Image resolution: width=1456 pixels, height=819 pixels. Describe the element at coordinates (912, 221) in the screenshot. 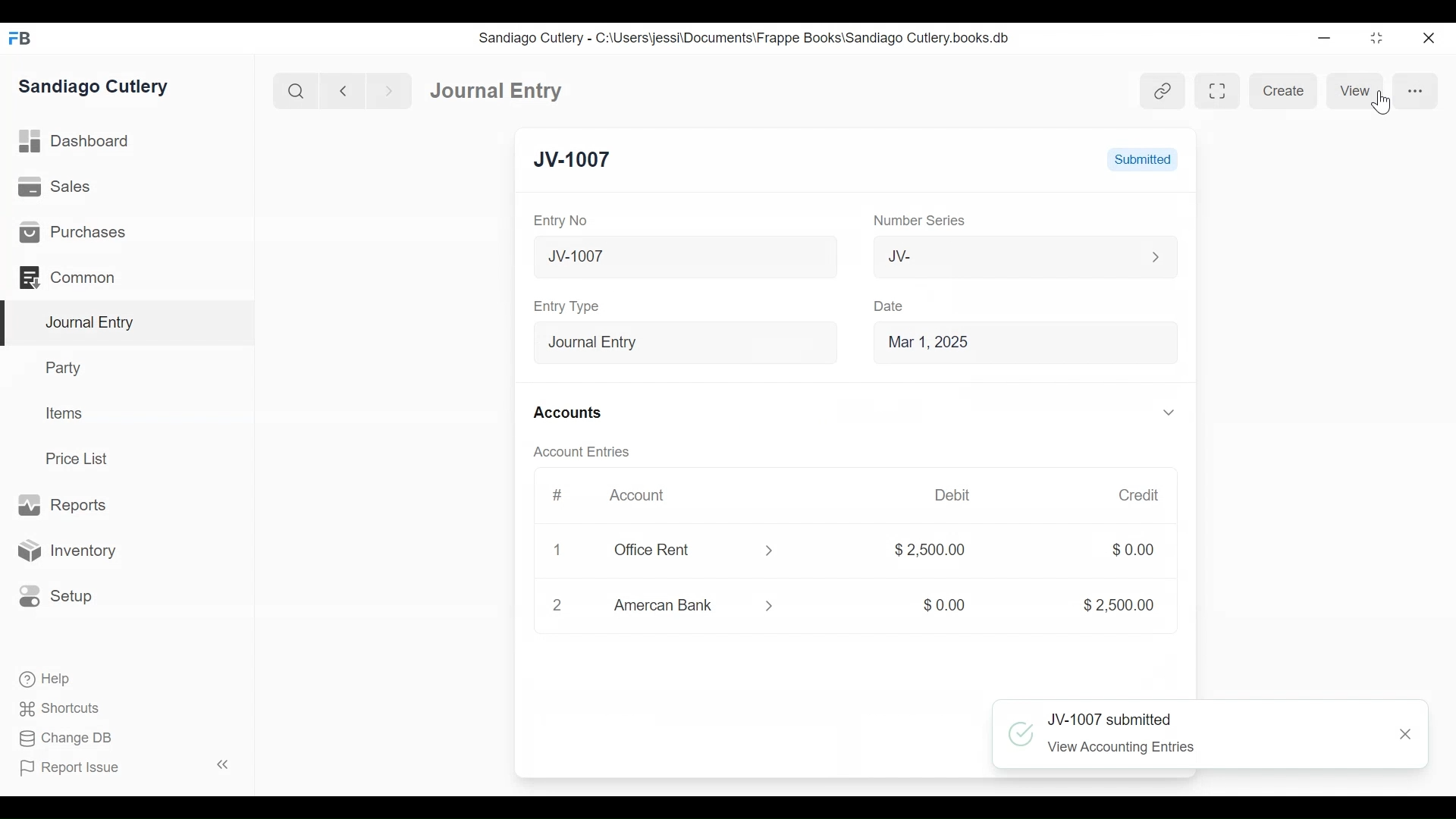

I see `Number Series` at that location.